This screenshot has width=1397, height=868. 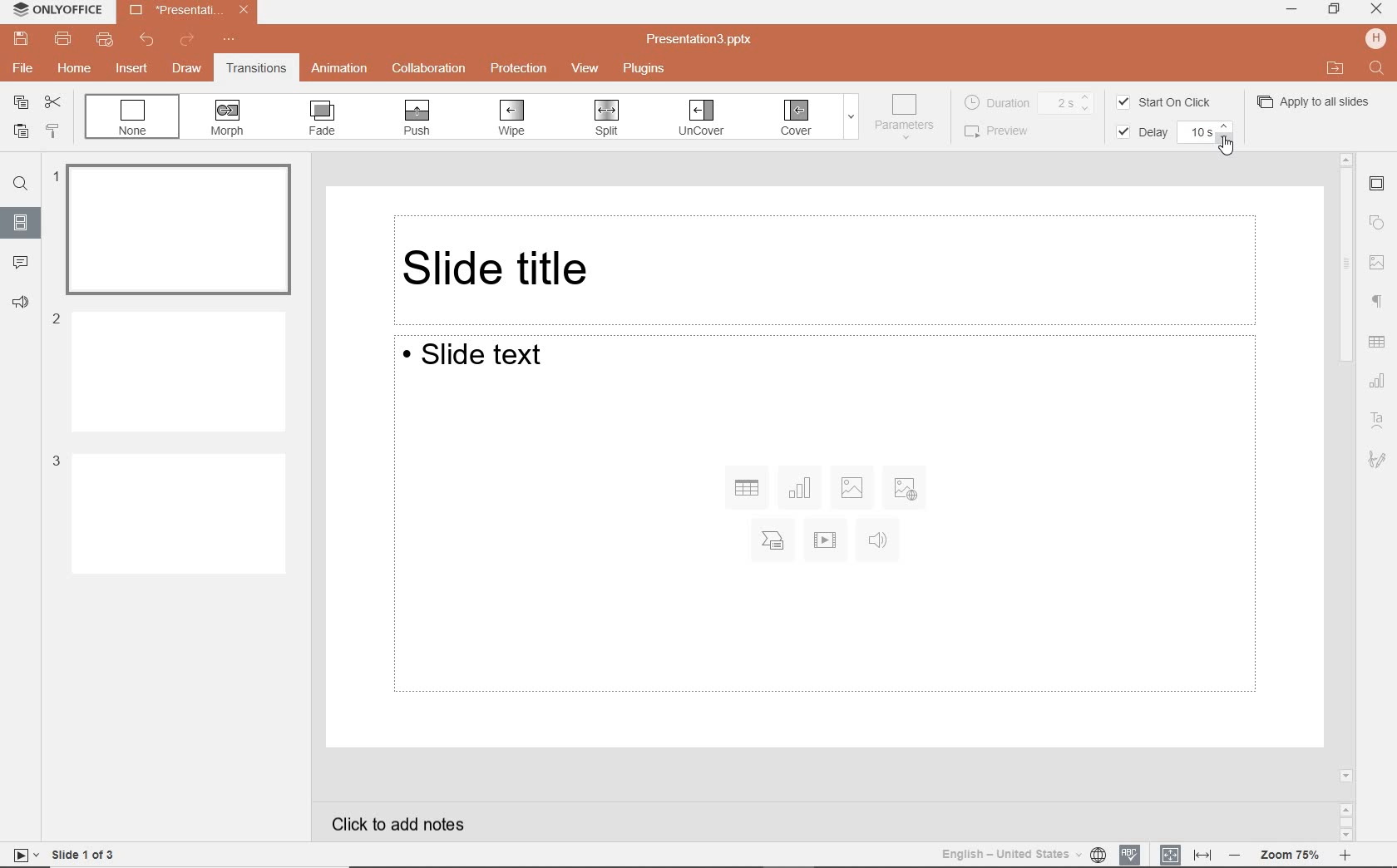 What do you see at coordinates (1292, 8) in the screenshot?
I see `MINIMIZE` at bounding box center [1292, 8].